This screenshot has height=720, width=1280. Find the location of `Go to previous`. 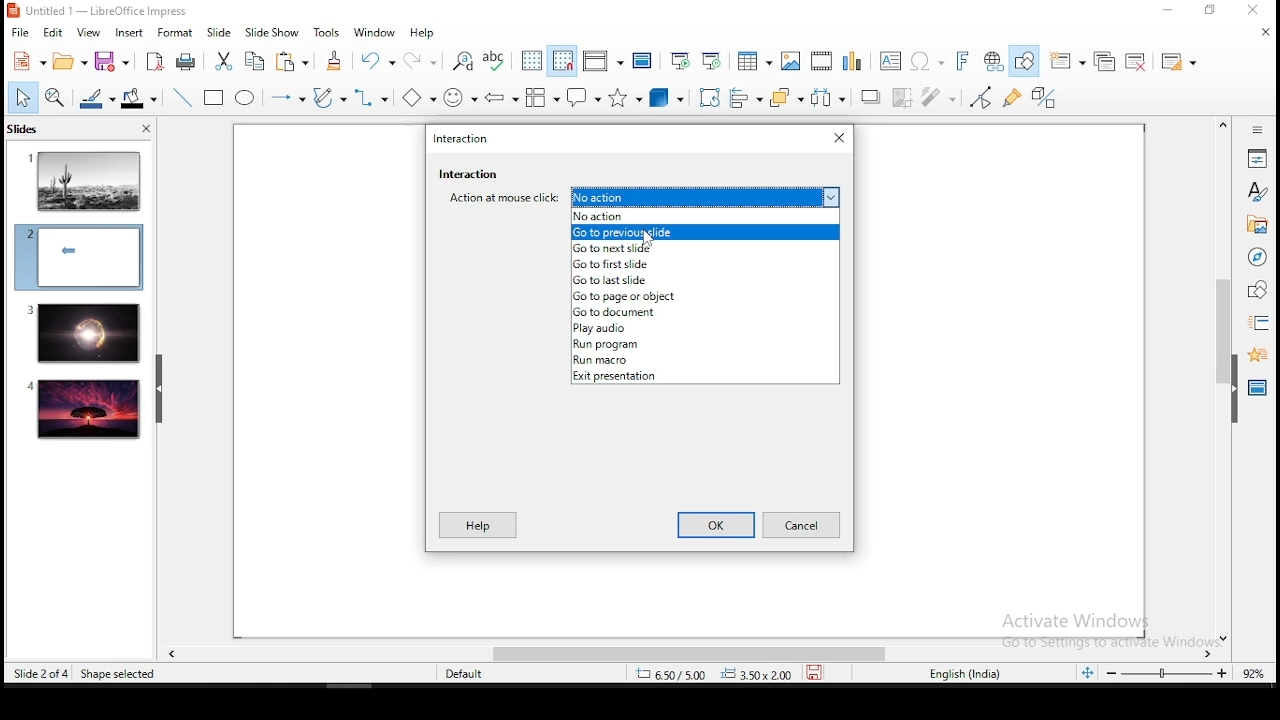

Go to previous is located at coordinates (650, 238).